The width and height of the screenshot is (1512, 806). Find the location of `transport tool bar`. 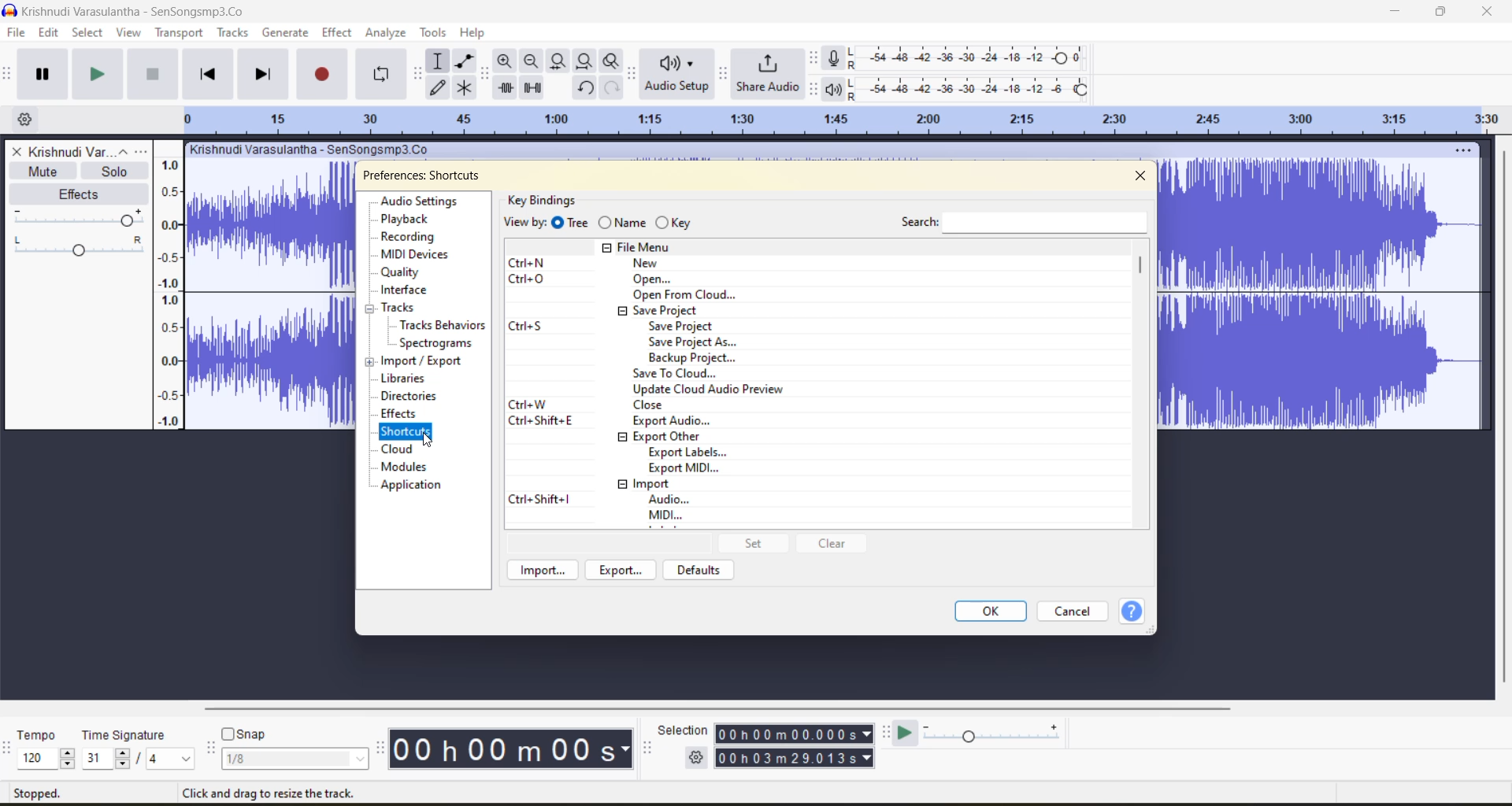

transport tool bar is located at coordinates (10, 75).